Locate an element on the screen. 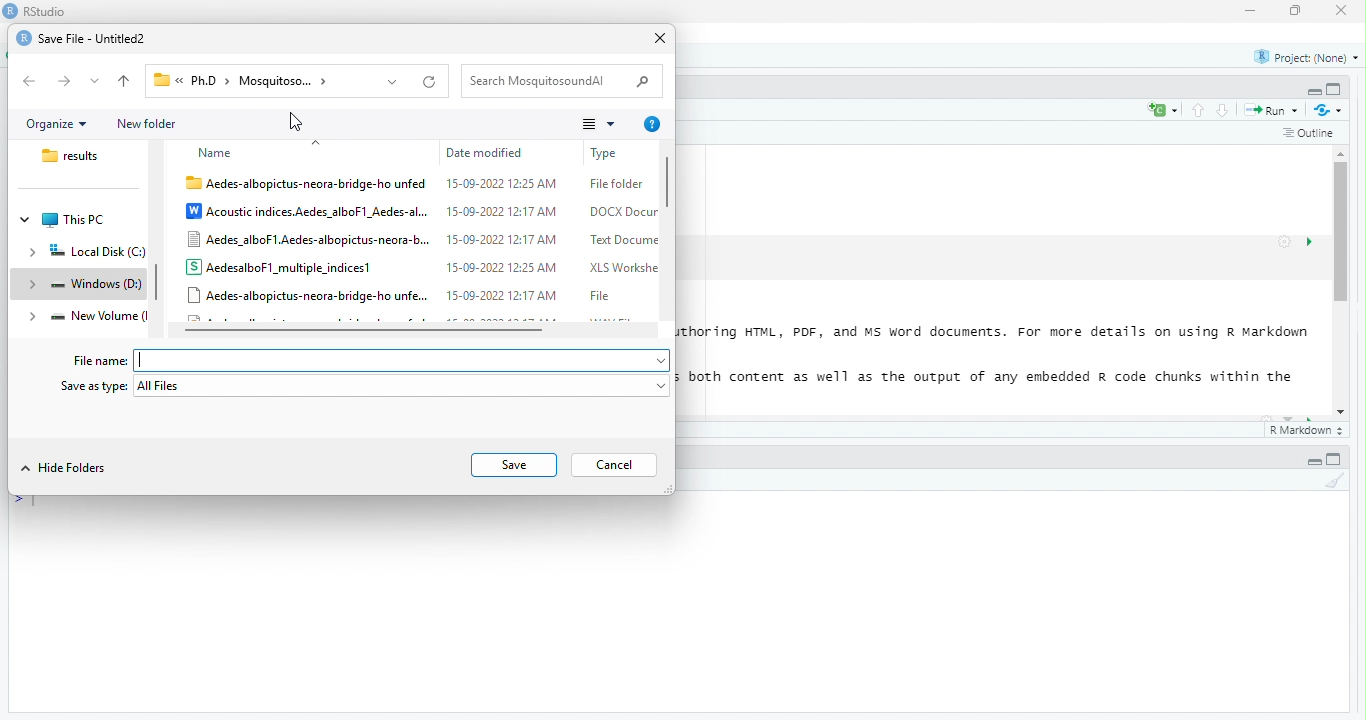  Cancel is located at coordinates (615, 465).